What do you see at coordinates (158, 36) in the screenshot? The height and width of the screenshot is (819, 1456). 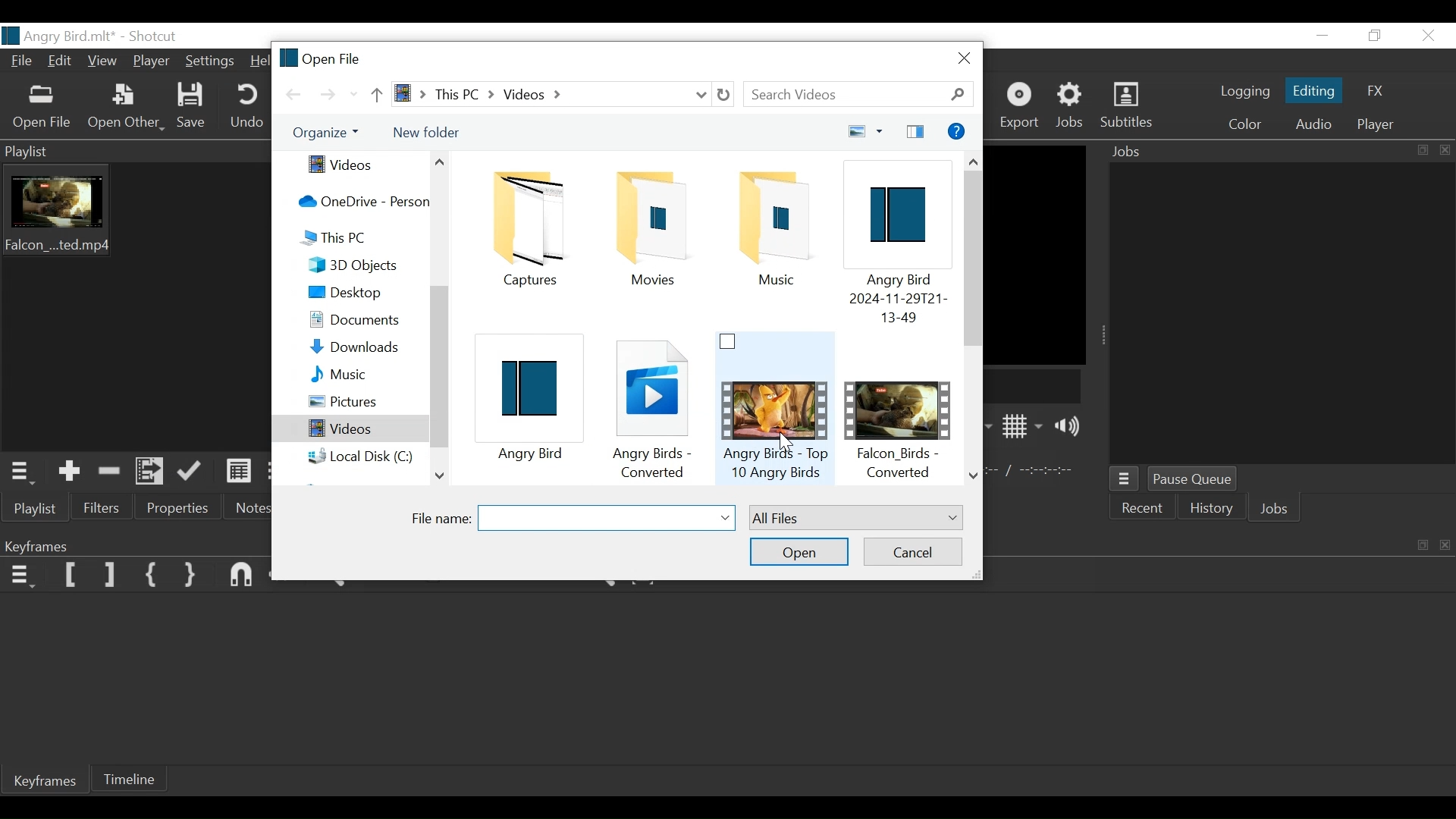 I see `Shotcut` at bounding box center [158, 36].